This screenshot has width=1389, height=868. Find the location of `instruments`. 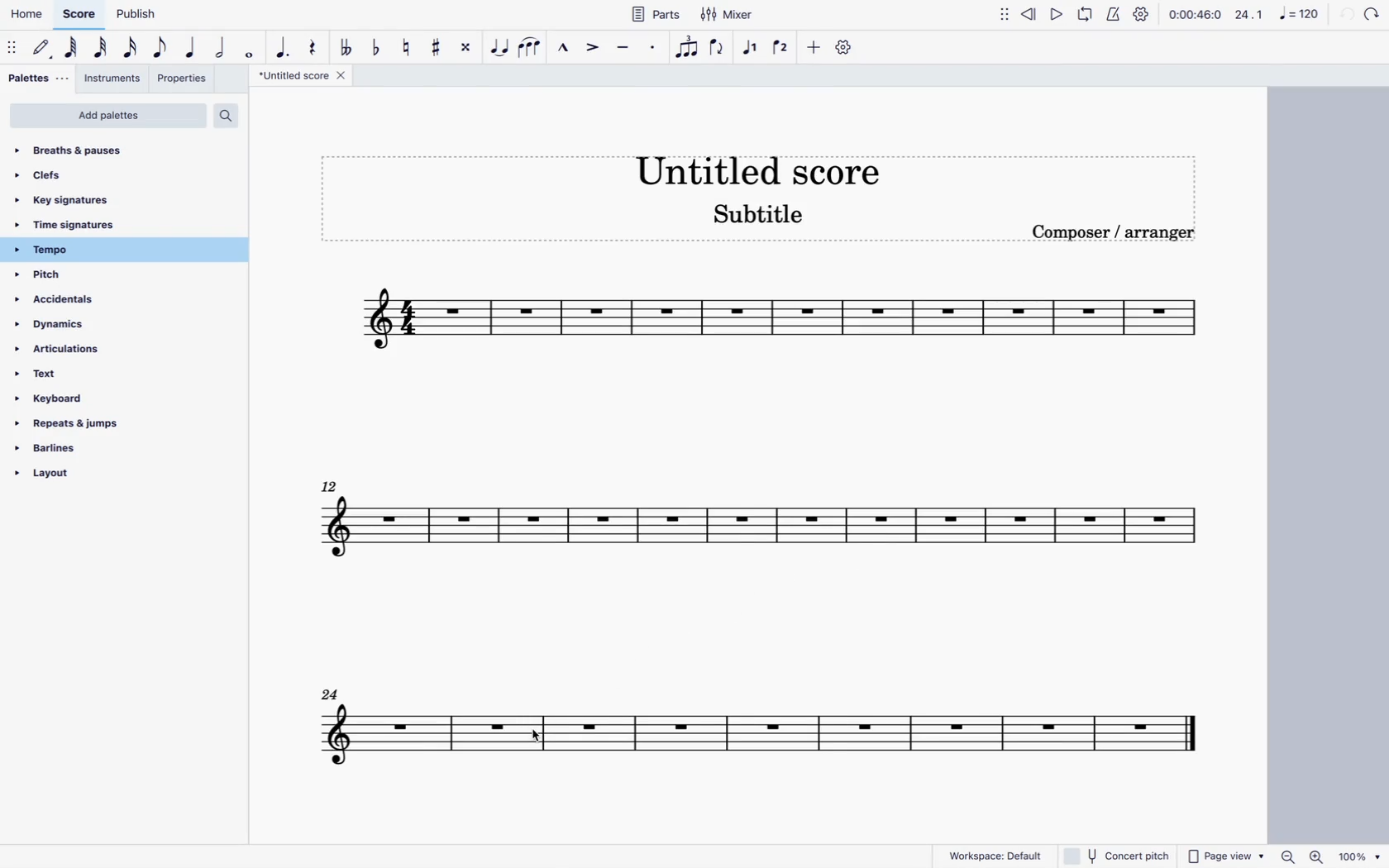

instruments is located at coordinates (113, 79).